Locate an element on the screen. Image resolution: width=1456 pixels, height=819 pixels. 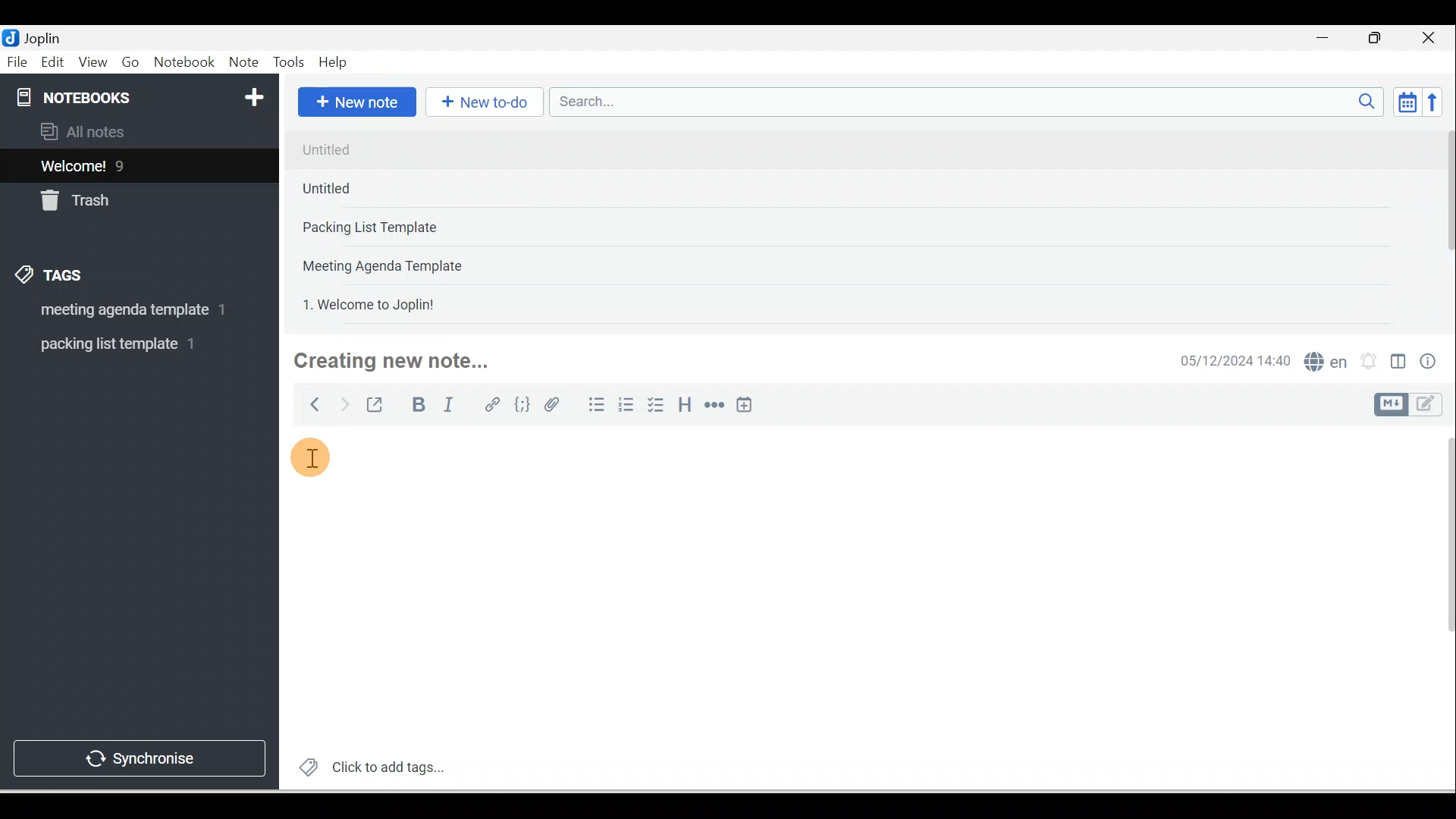
New note is located at coordinates (354, 103).